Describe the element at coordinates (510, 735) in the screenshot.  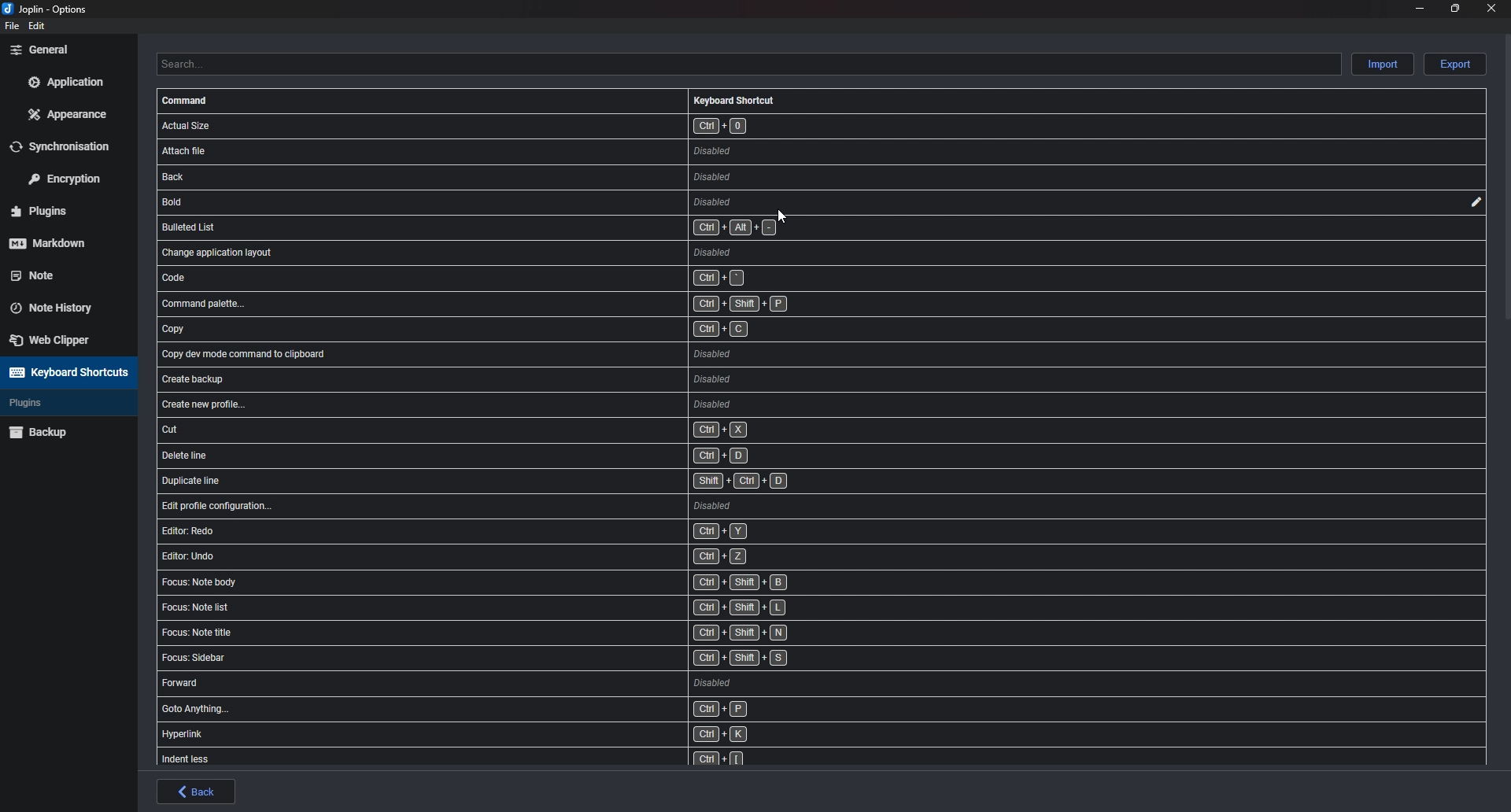
I see `shortcut` at that location.